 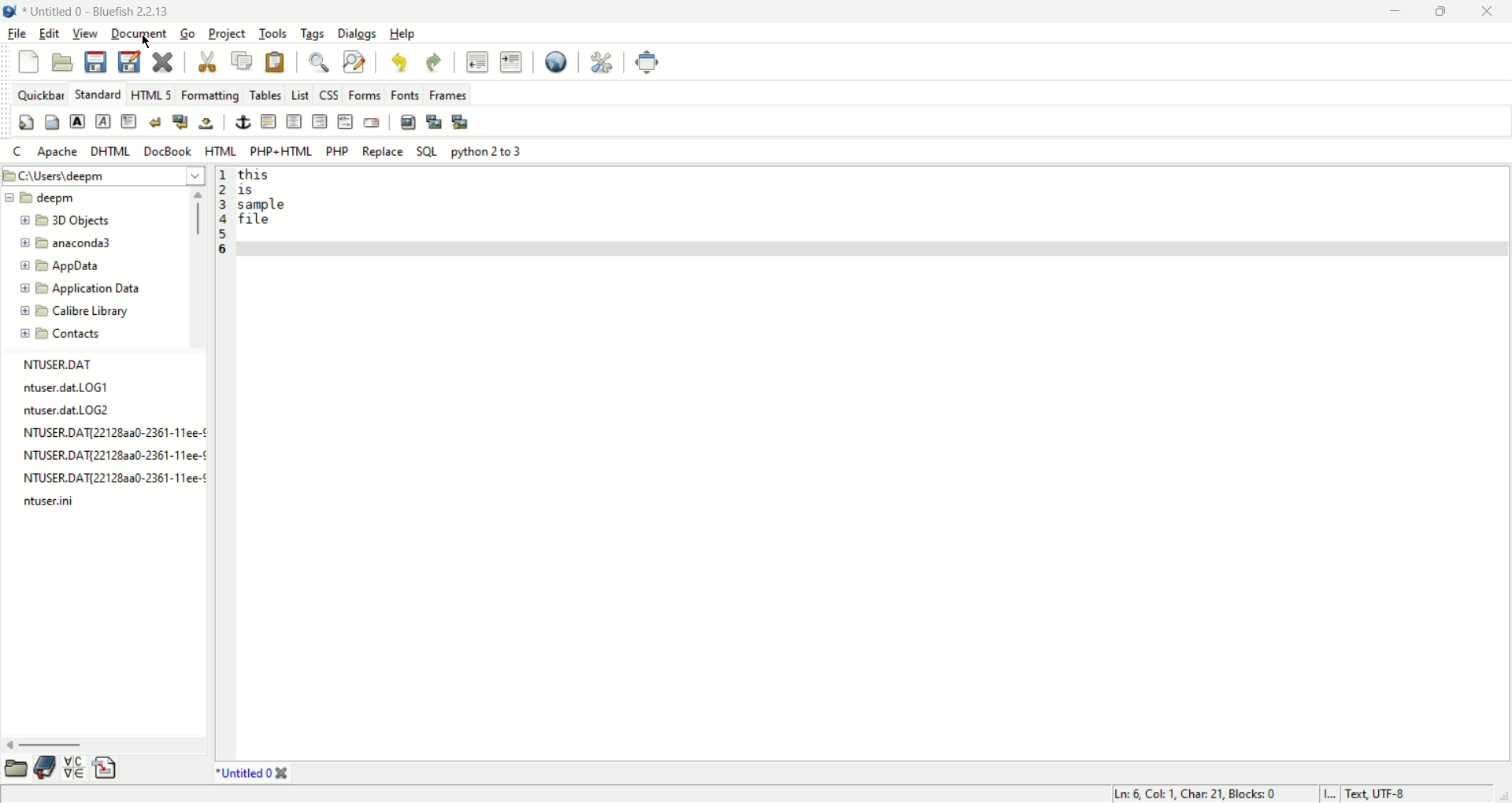 What do you see at coordinates (108, 767) in the screenshot?
I see `snippet` at bounding box center [108, 767].